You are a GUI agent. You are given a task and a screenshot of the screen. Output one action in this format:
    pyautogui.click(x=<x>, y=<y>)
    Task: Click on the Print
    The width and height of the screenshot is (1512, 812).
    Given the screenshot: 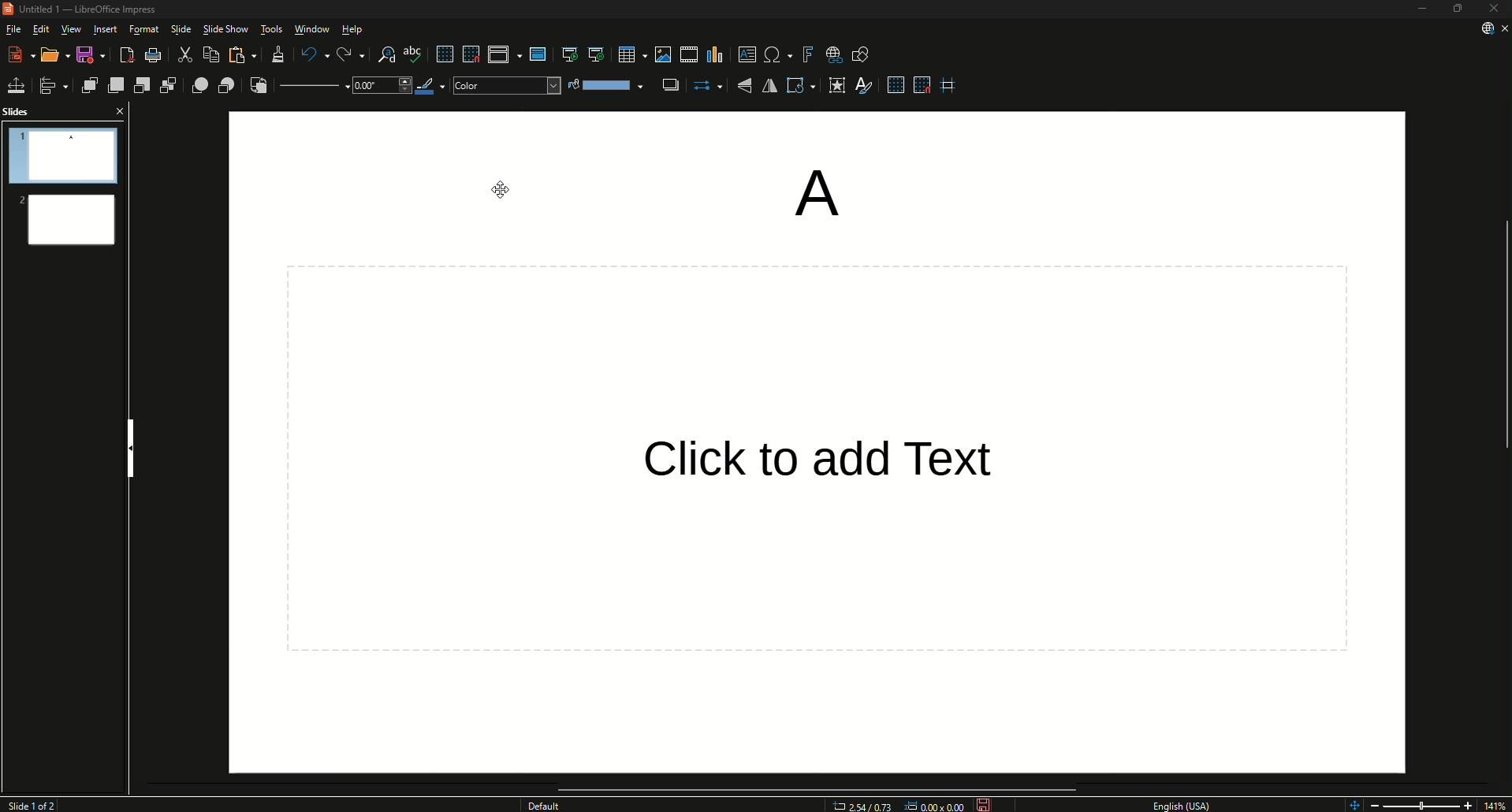 What is the action you would take?
    pyautogui.click(x=153, y=54)
    